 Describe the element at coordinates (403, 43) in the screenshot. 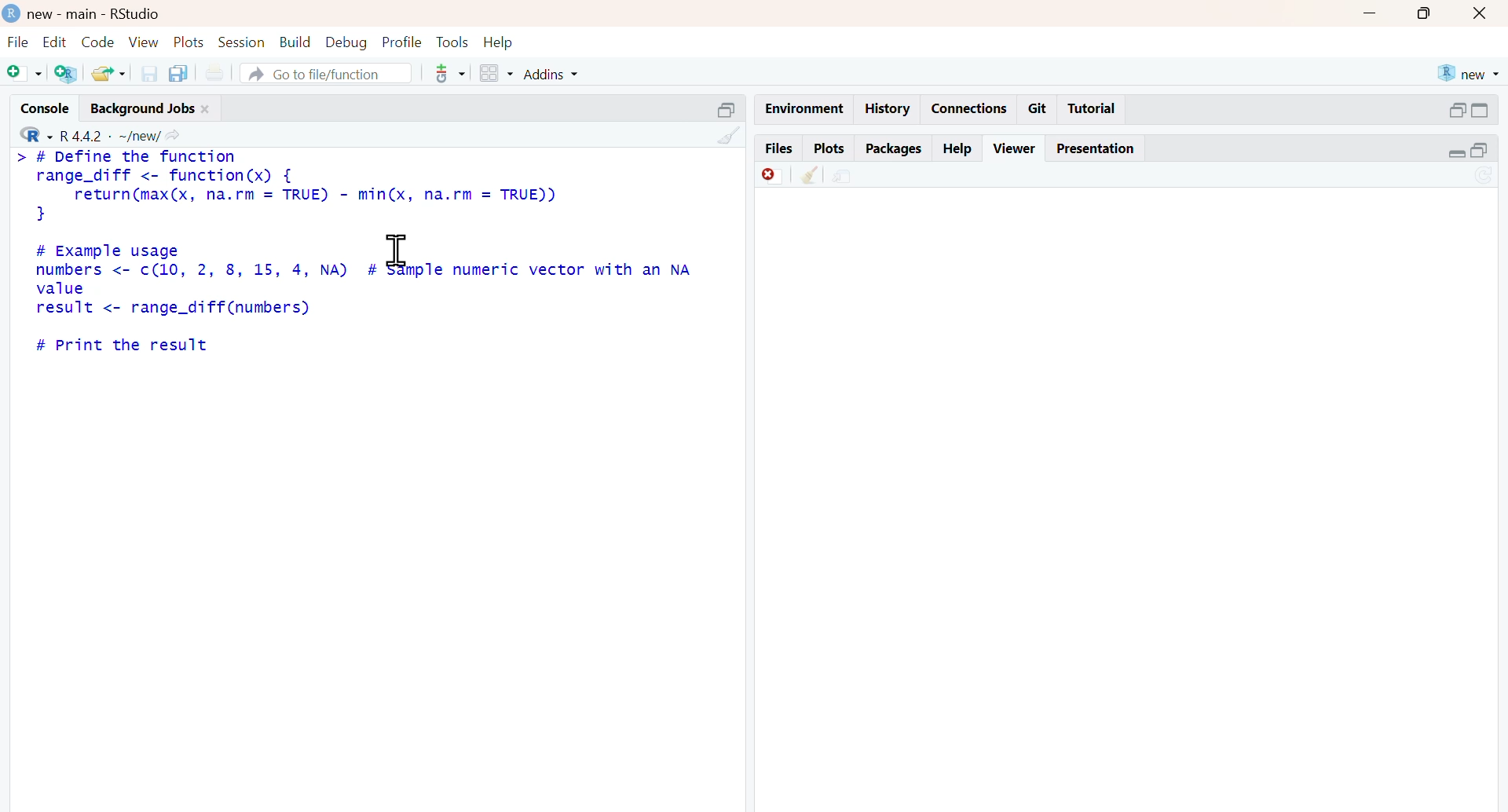

I see `profile` at that location.